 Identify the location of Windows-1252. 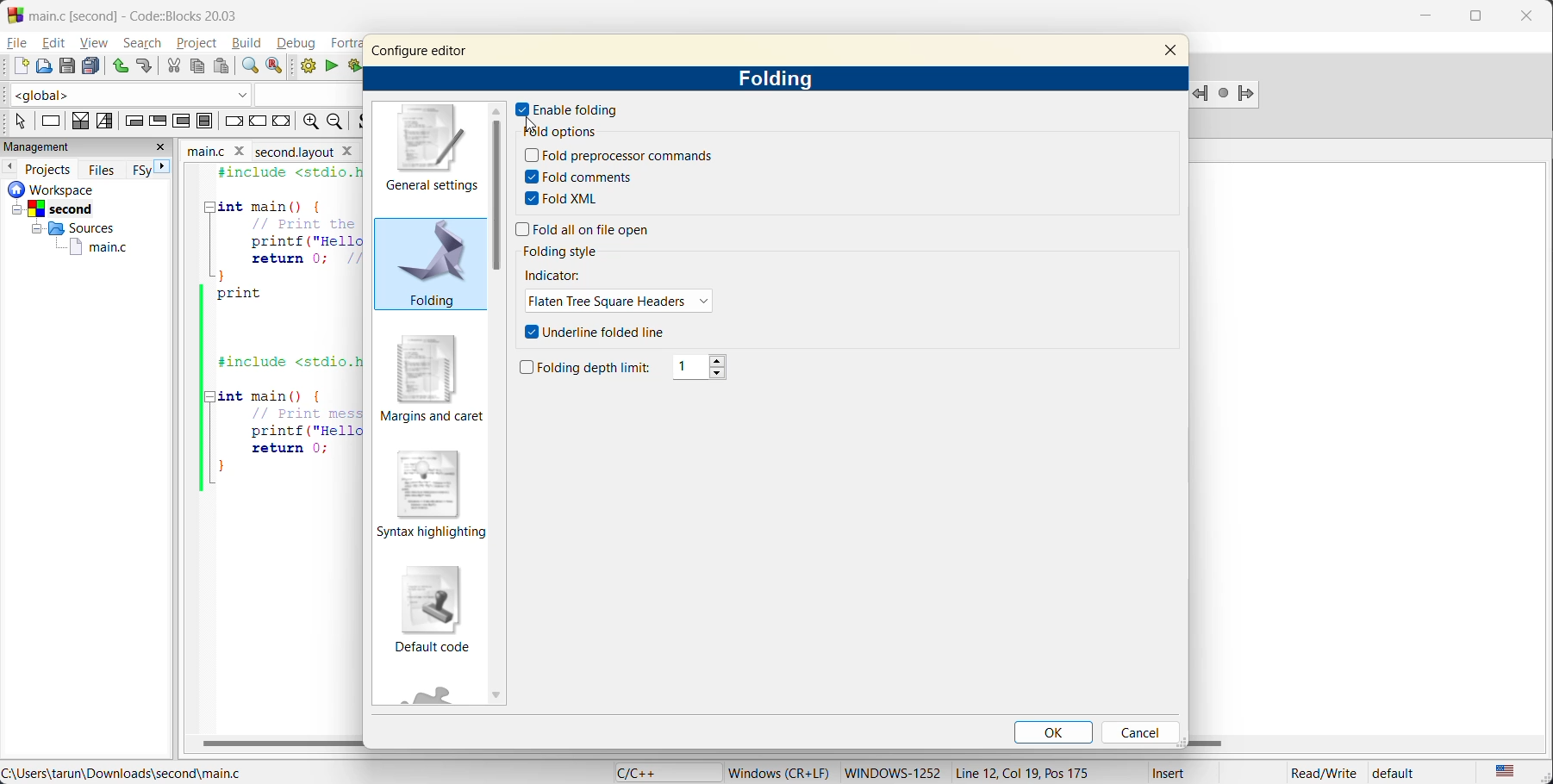
(895, 770).